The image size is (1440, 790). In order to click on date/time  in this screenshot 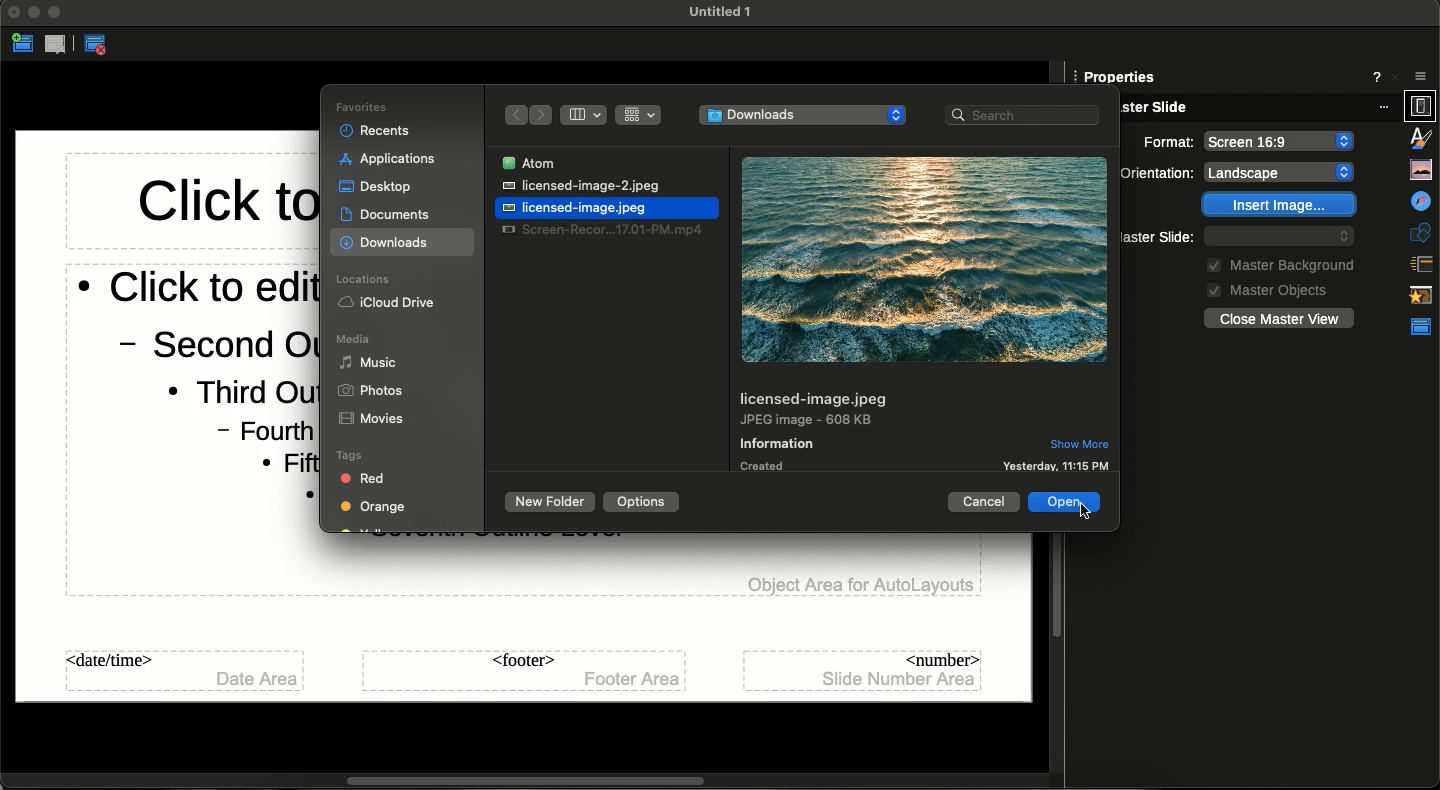, I will do `click(186, 669)`.